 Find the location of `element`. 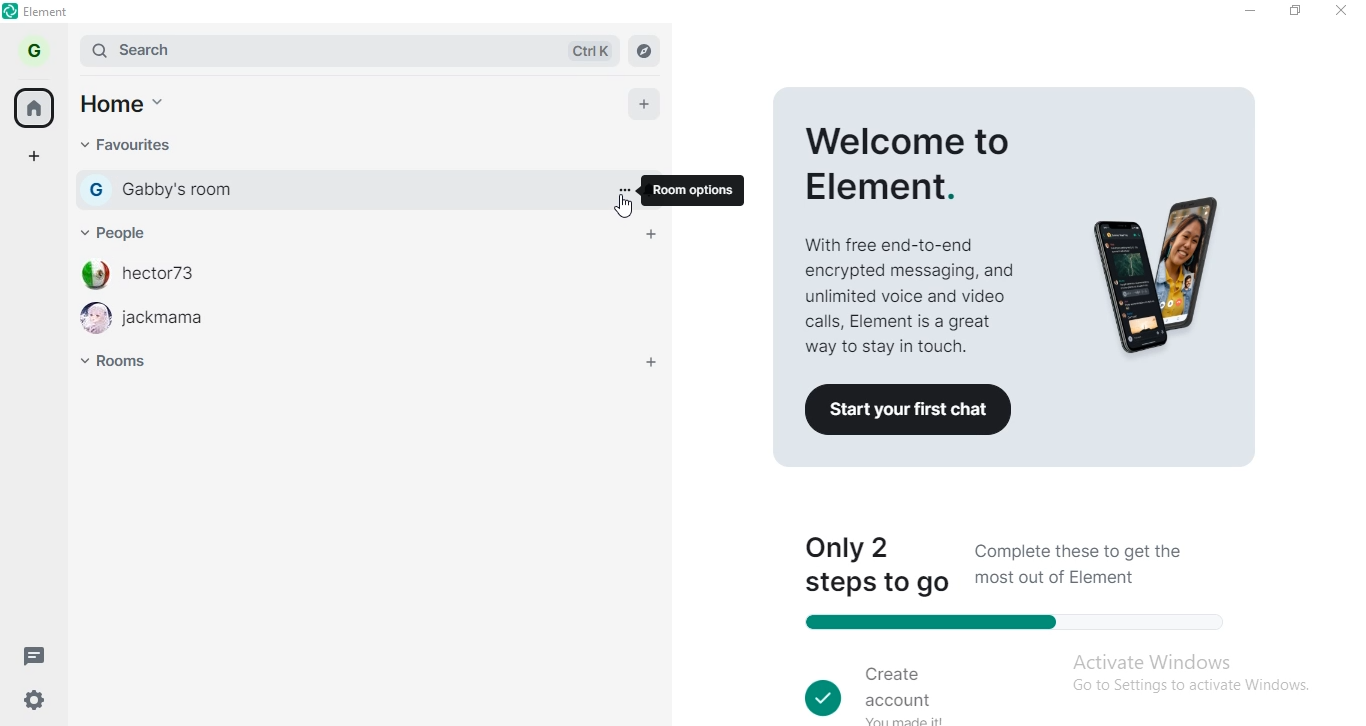

element is located at coordinates (49, 11).